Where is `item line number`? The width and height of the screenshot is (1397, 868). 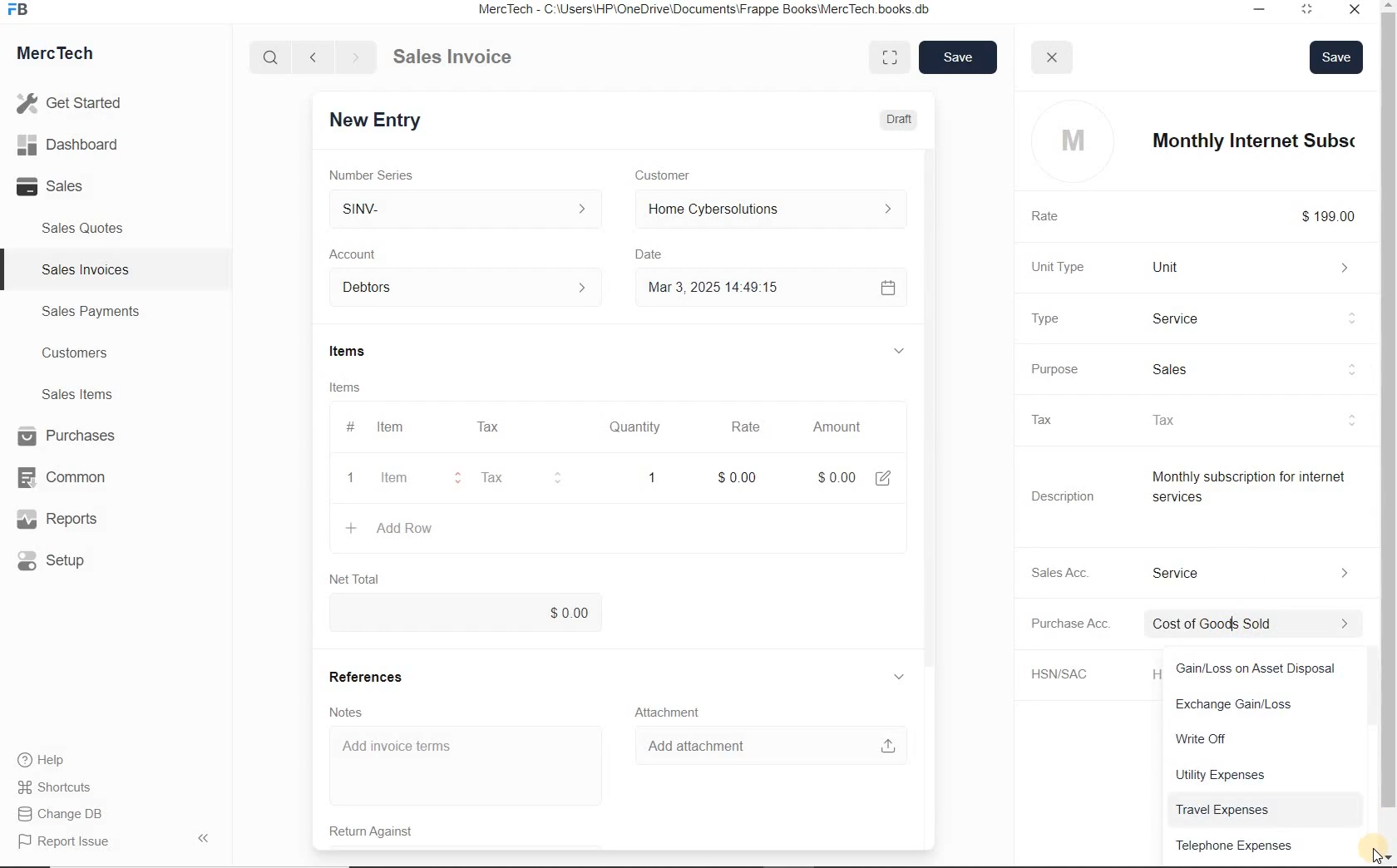 item line number is located at coordinates (354, 455).